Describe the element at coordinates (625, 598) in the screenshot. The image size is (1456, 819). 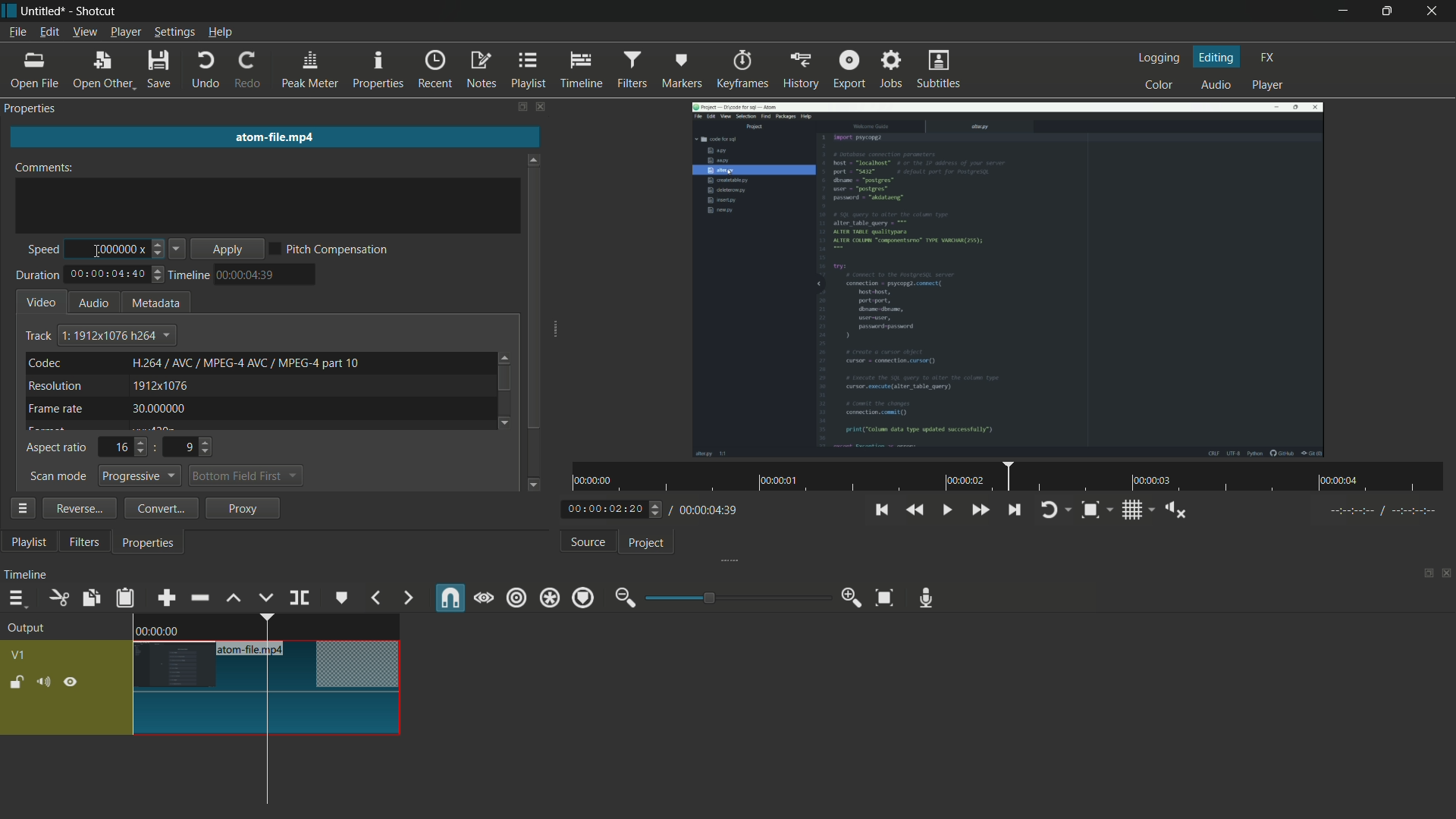
I see `zoom out` at that location.